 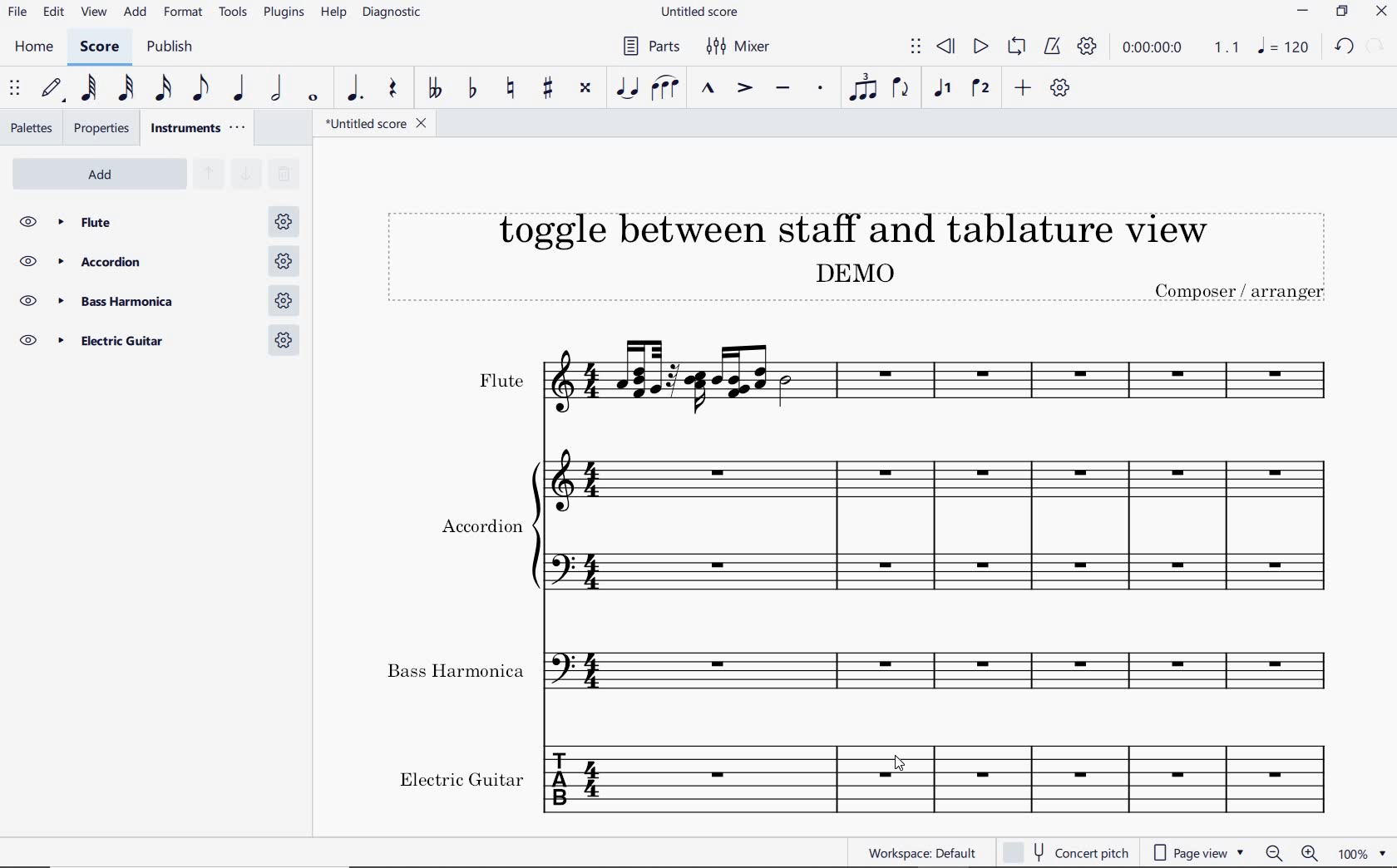 What do you see at coordinates (1066, 852) in the screenshot?
I see `concert pitch` at bounding box center [1066, 852].